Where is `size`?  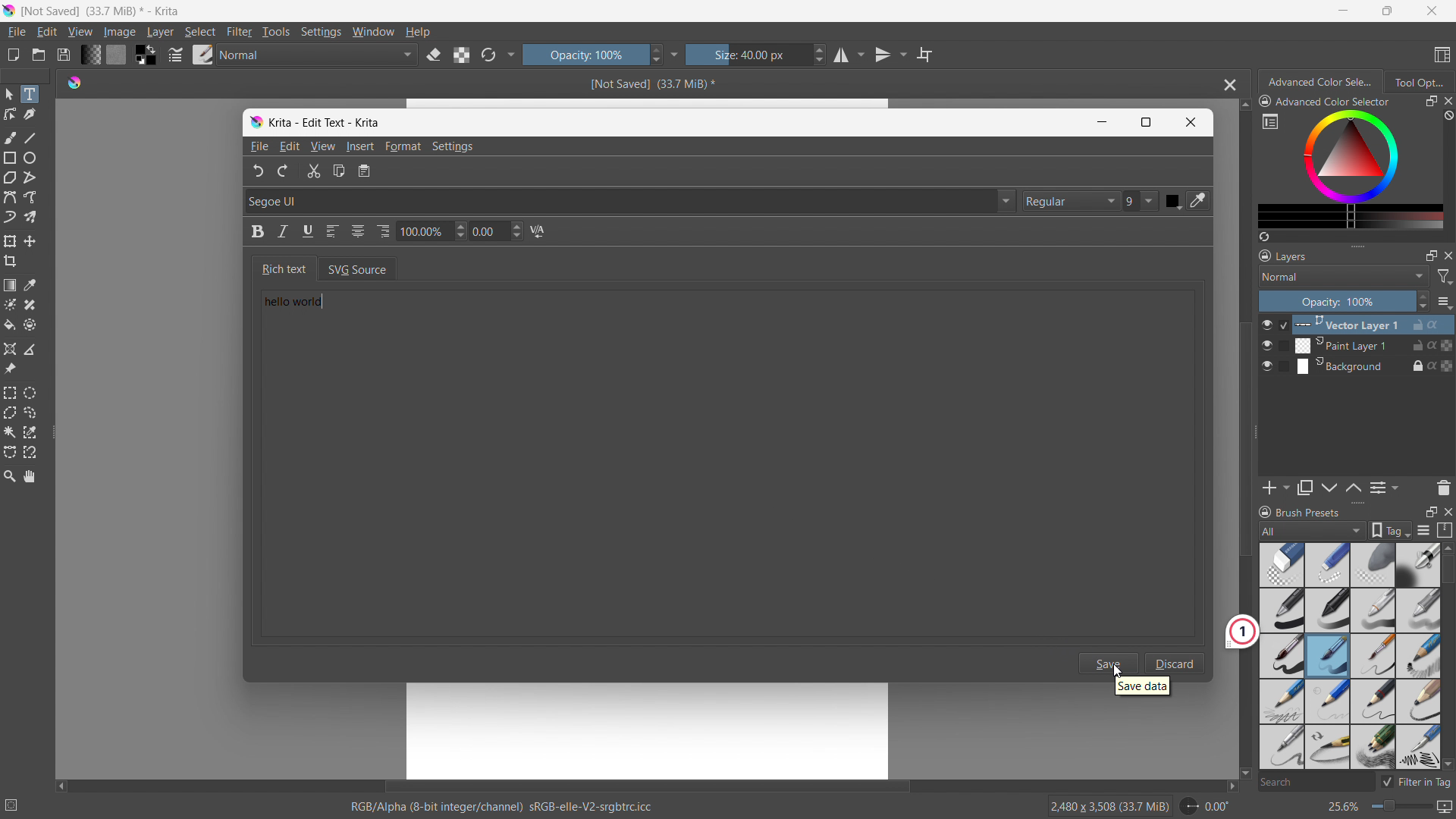 size is located at coordinates (756, 55).